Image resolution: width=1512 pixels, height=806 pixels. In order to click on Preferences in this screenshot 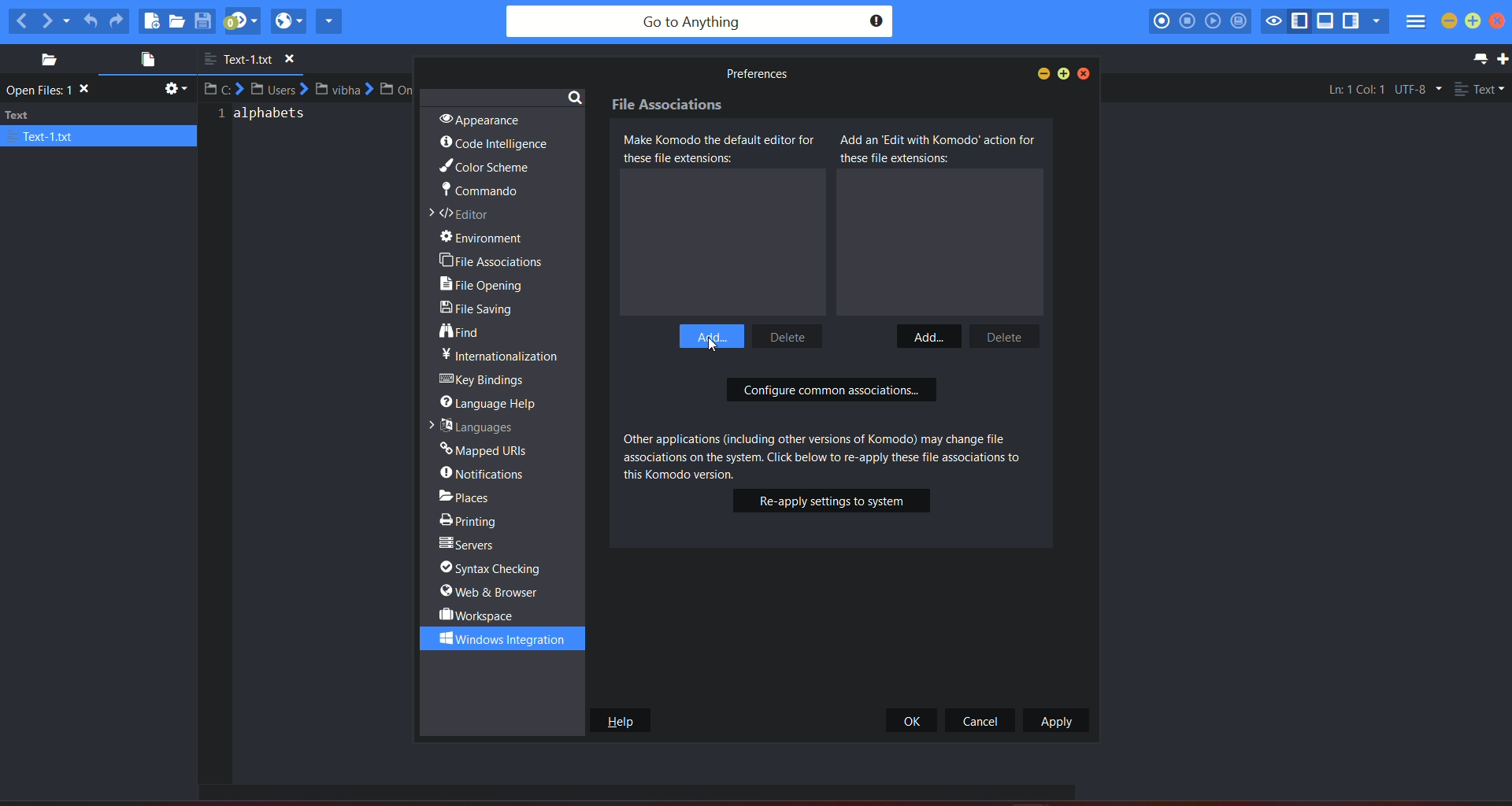, I will do `click(754, 74)`.